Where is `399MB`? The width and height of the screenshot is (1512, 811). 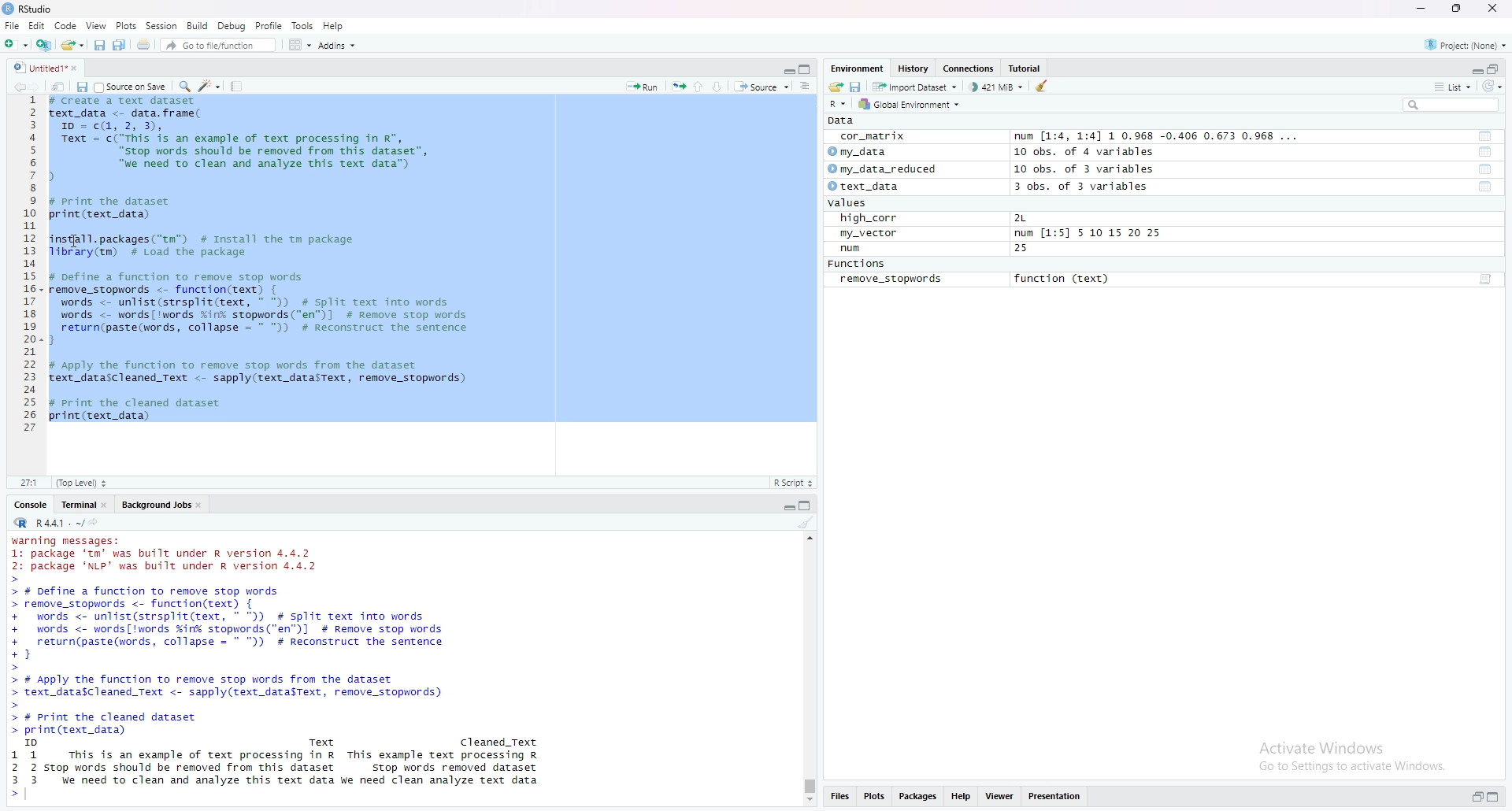 399MB is located at coordinates (999, 89).